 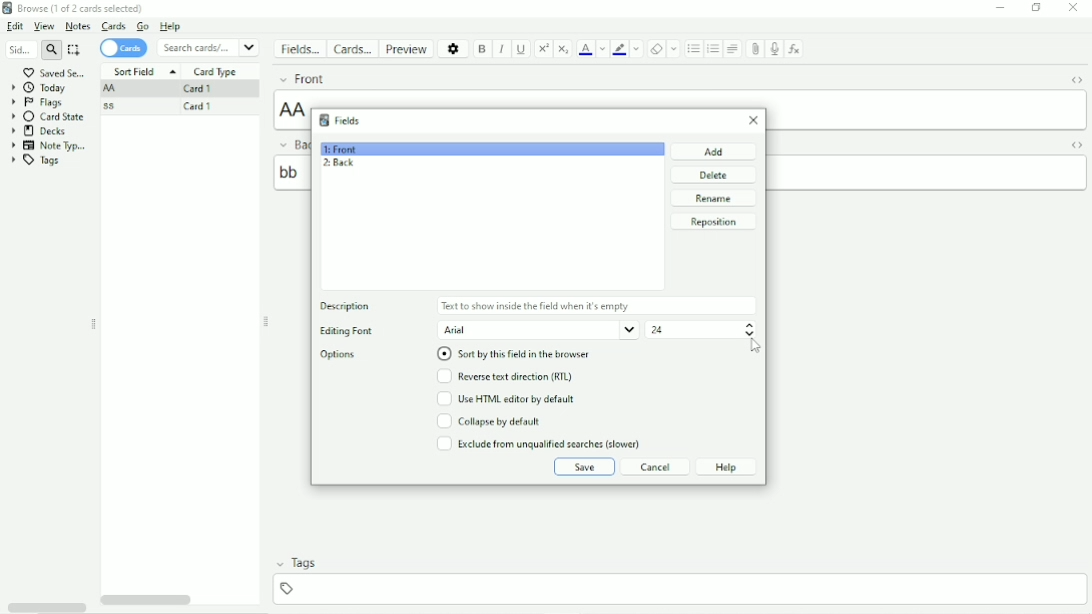 What do you see at coordinates (452, 48) in the screenshot?
I see `Options` at bounding box center [452, 48].